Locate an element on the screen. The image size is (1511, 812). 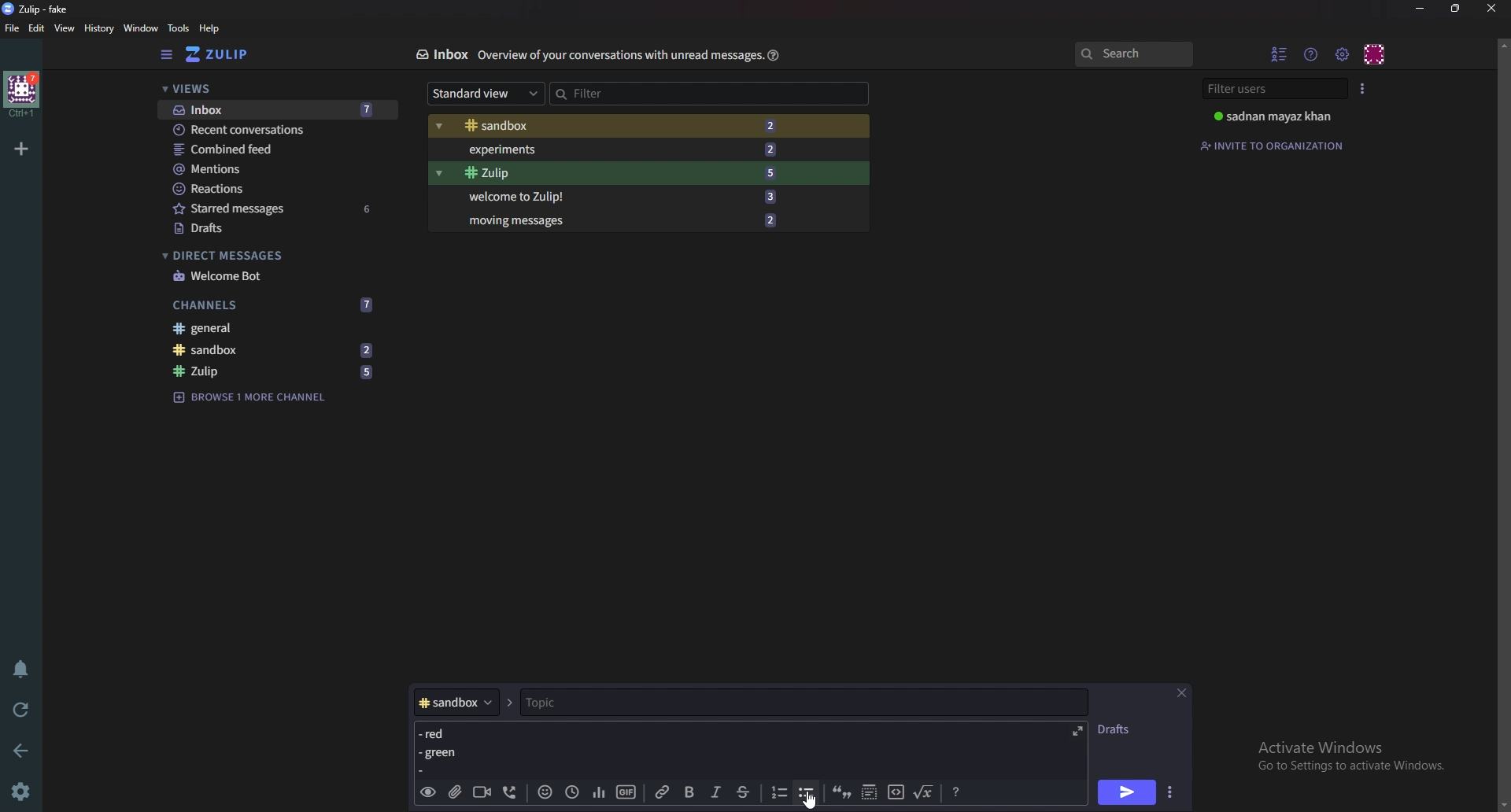
Direct messages is located at coordinates (271, 256).